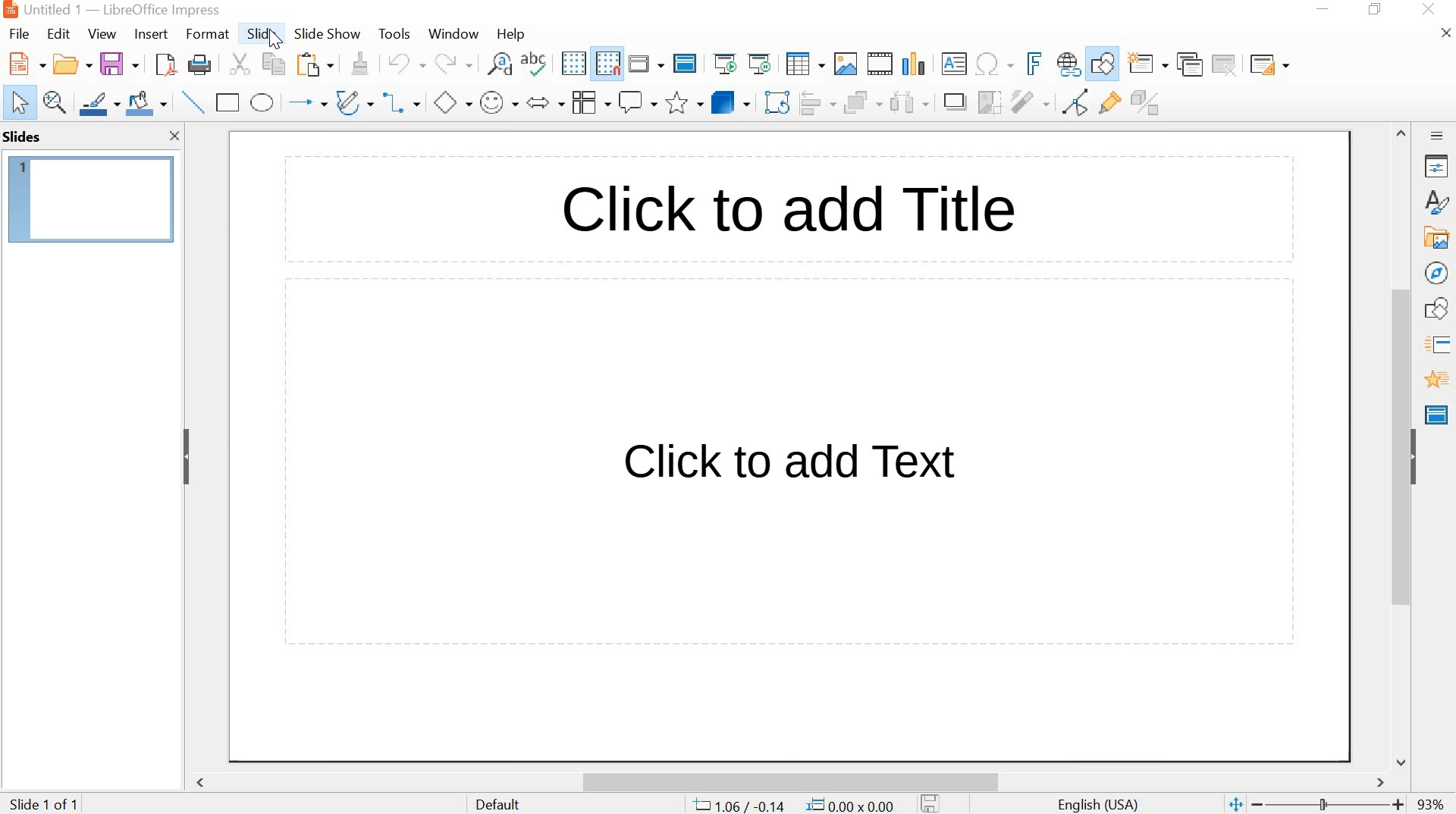  What do you see at coordinates (192, 102) in the screenshot?
I see `Insert Line` at bounding box center [192, 102].